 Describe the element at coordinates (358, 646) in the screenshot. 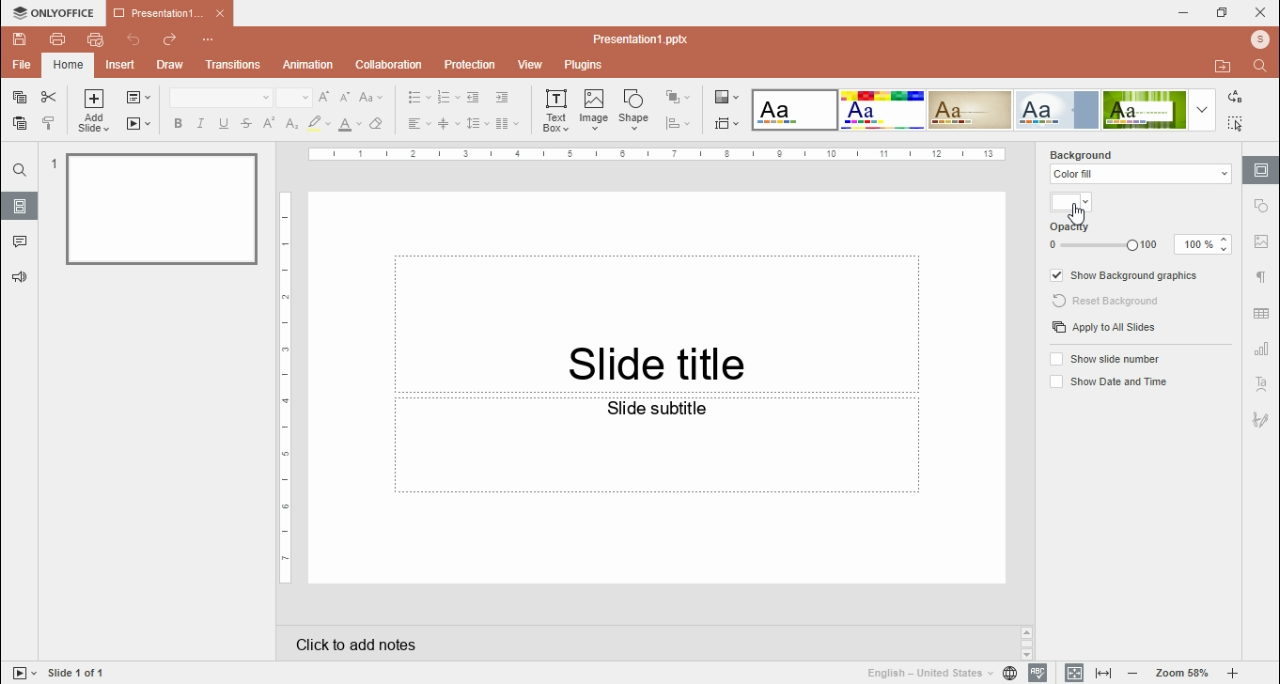

I see `click to add notes` at that location.